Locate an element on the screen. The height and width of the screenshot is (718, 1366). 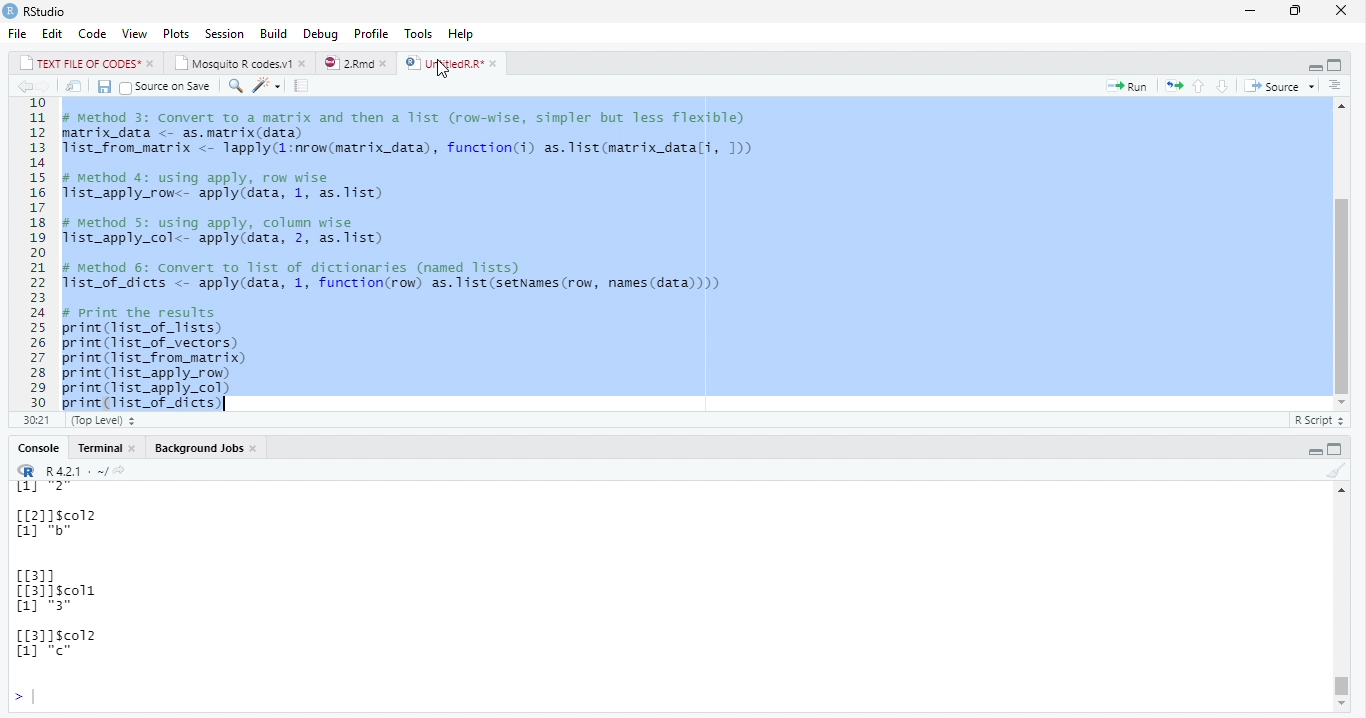
code of matrix data  is located at coordinates (418, 144).